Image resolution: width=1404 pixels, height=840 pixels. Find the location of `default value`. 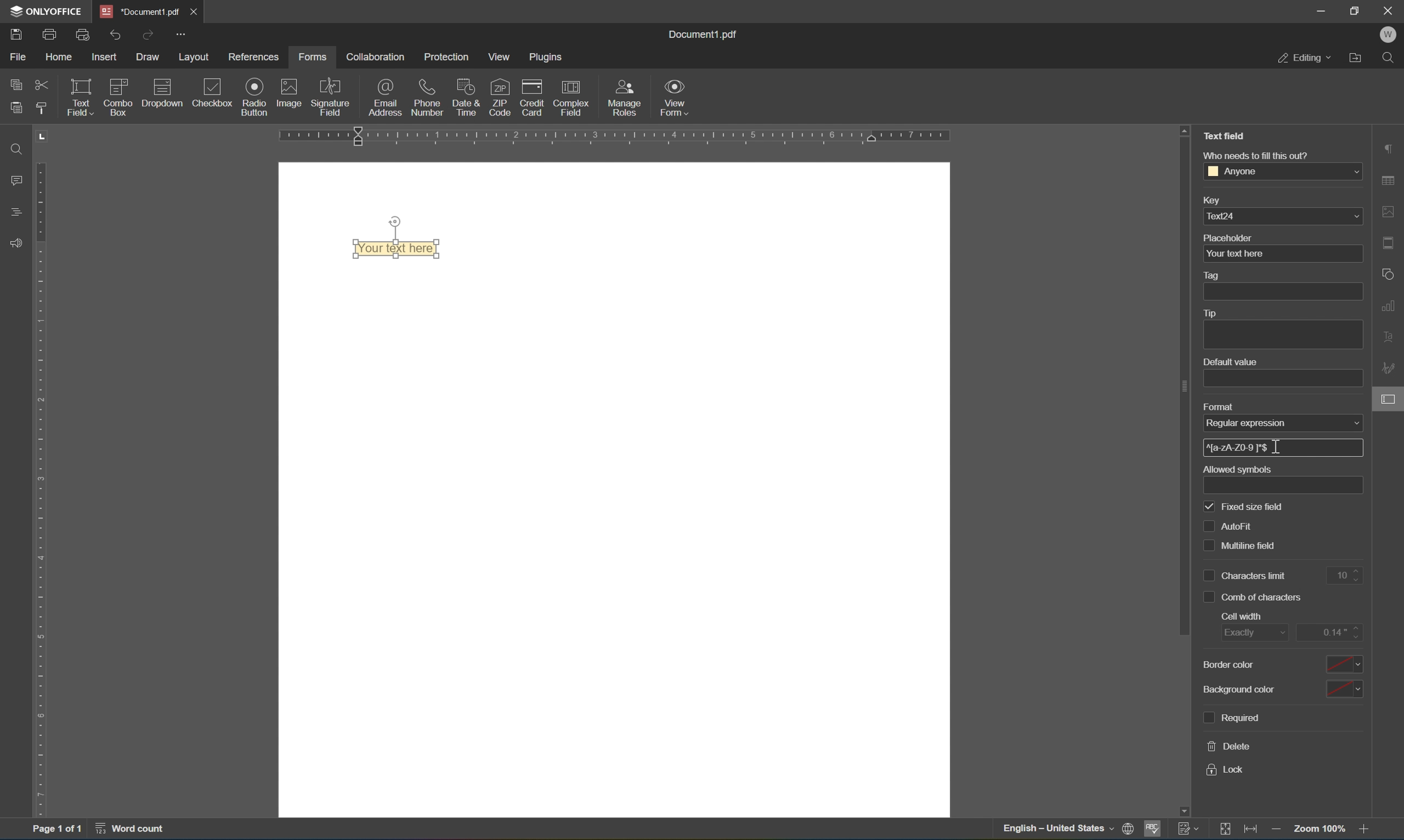

default value is located at coordinates (1230, 362).